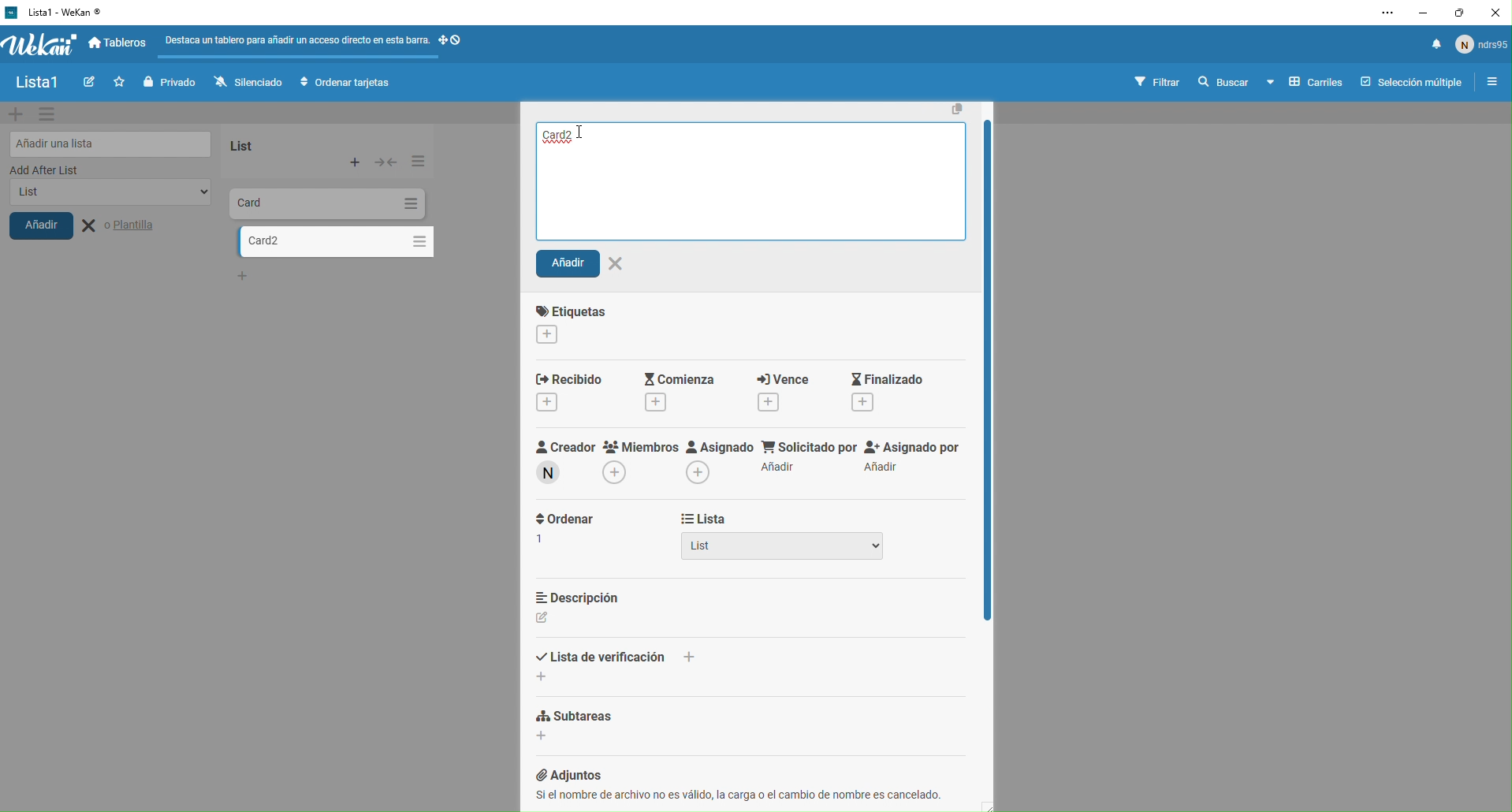 Image resolution: width=1512 pixels, height=812 pixels. I want to click on Comienza, so click(676, 382).